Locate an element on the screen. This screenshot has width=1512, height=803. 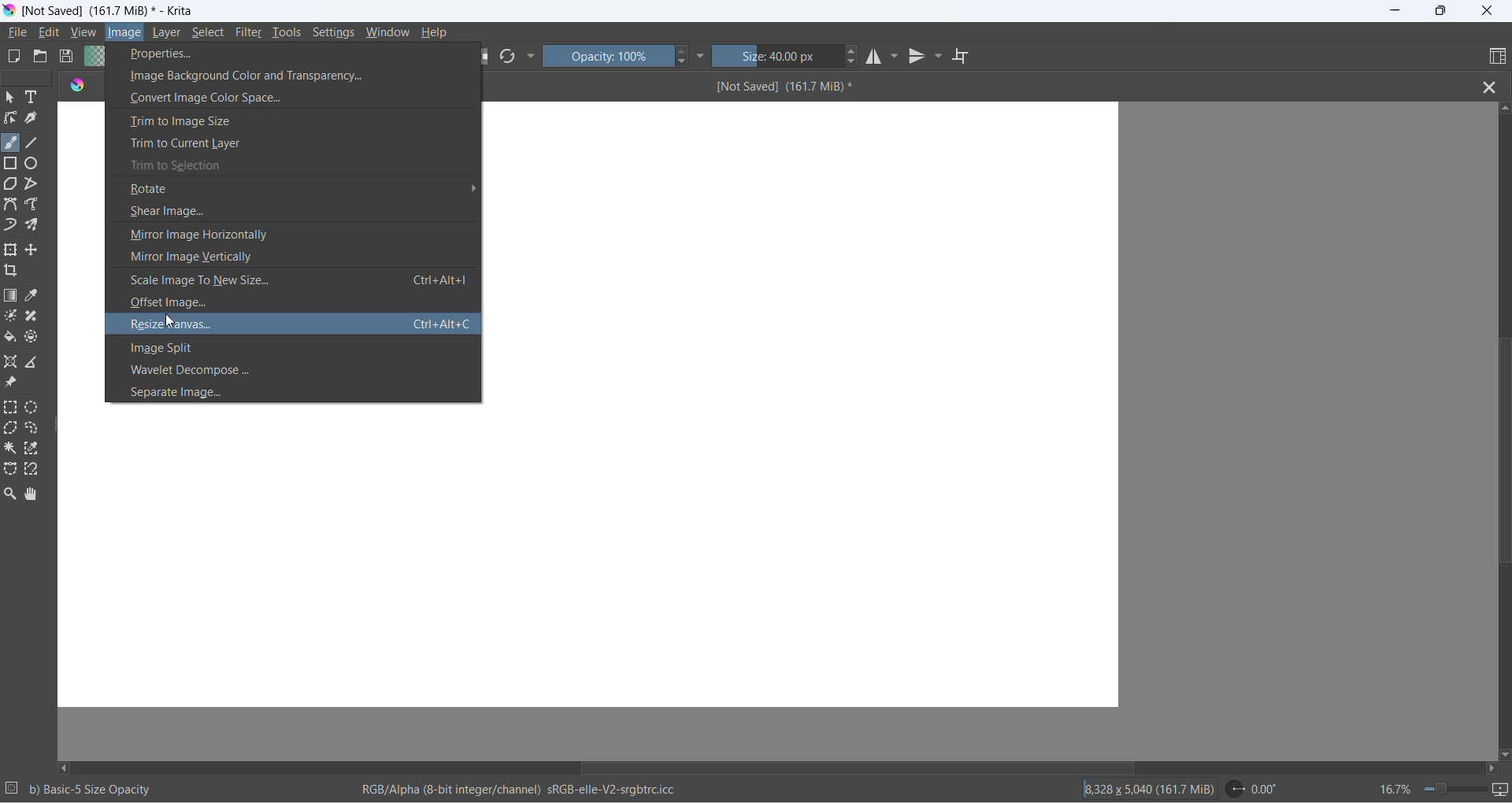
trim to selection is located at coordinates (295, 166).